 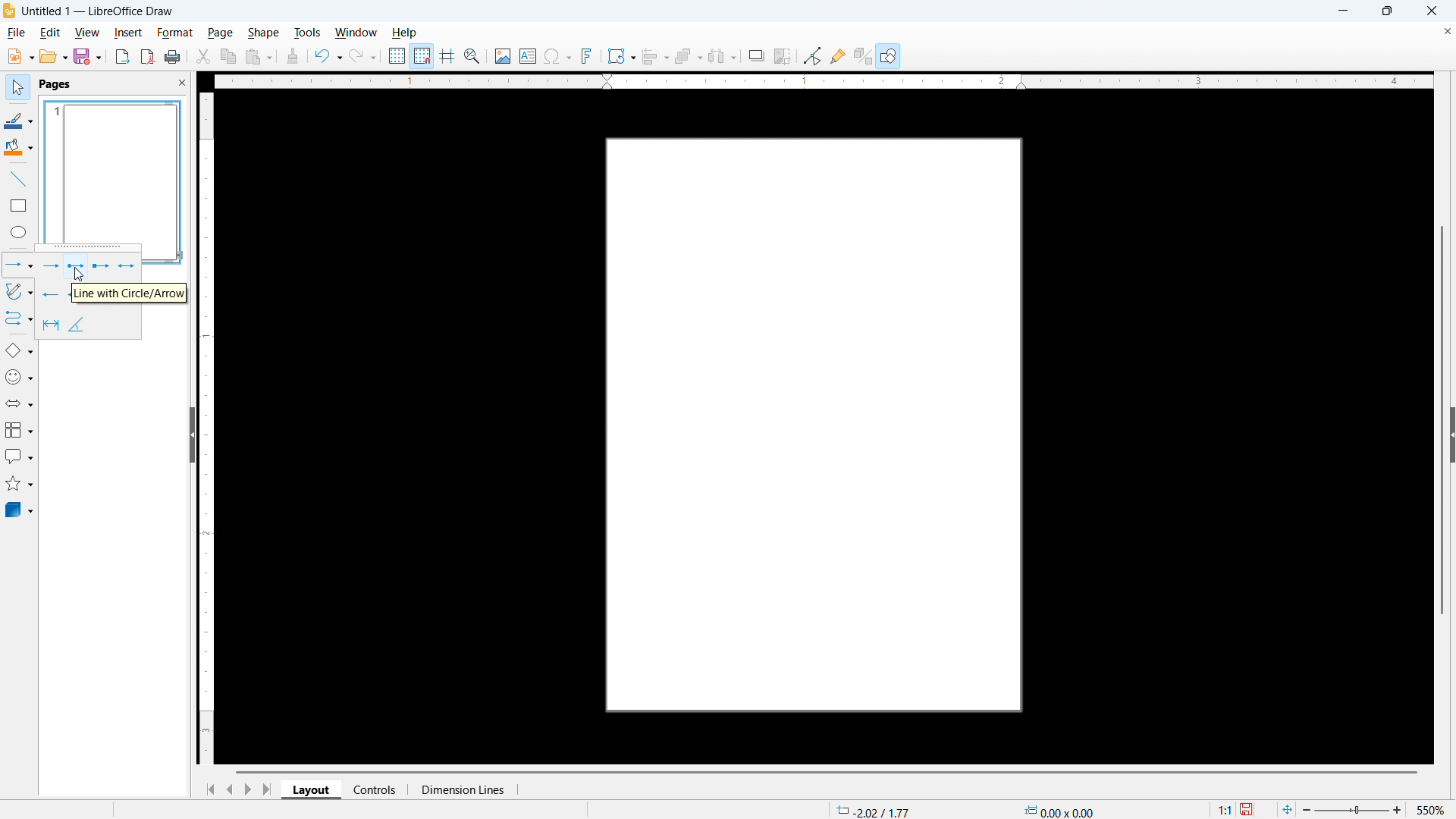 What do you see at coordinates (889, 55) in the screenshot?
I see `Help ` at bounding box center [889, 55].